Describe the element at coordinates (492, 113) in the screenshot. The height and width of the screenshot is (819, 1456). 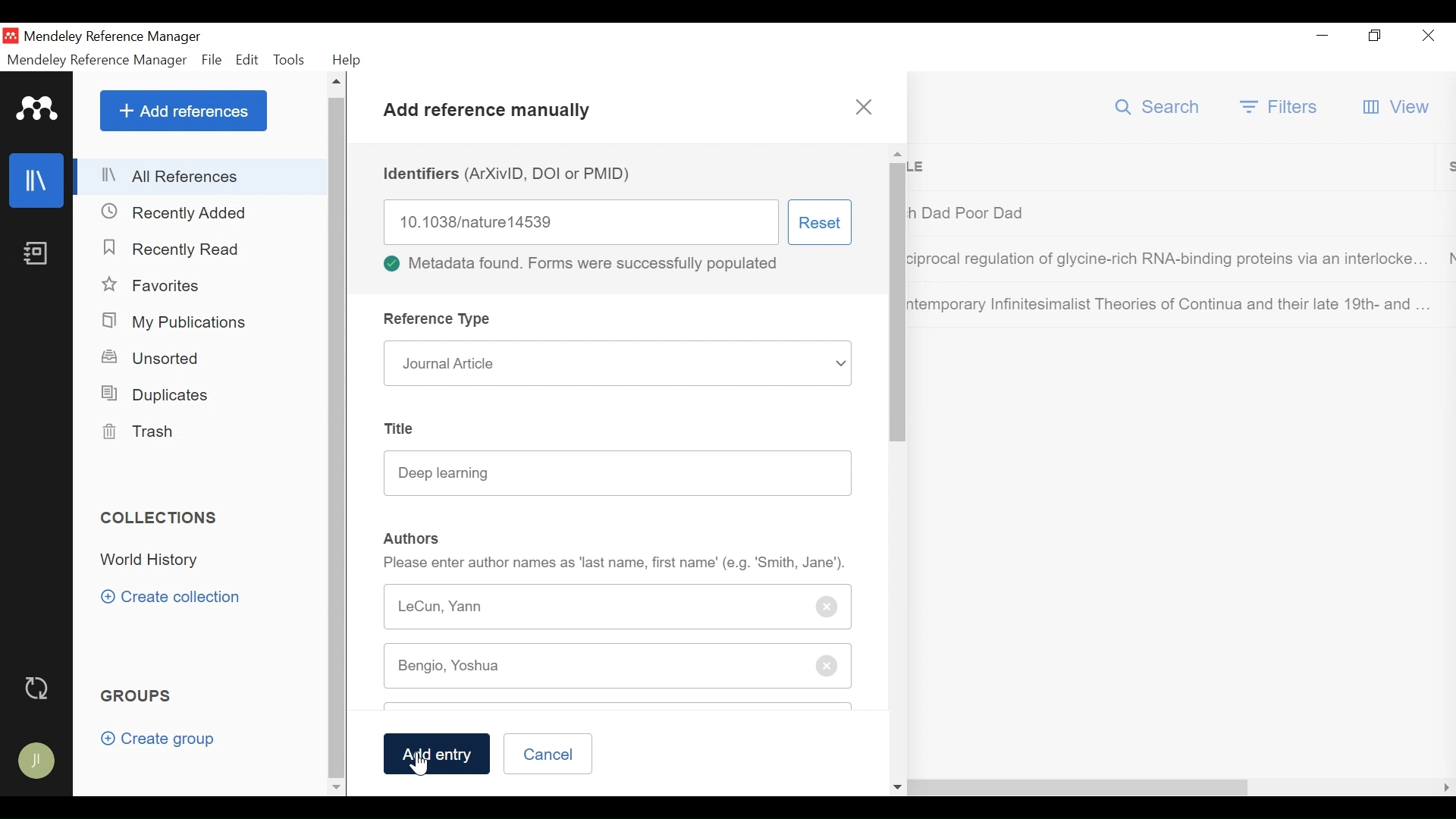
I see `Add references manually` at that location.